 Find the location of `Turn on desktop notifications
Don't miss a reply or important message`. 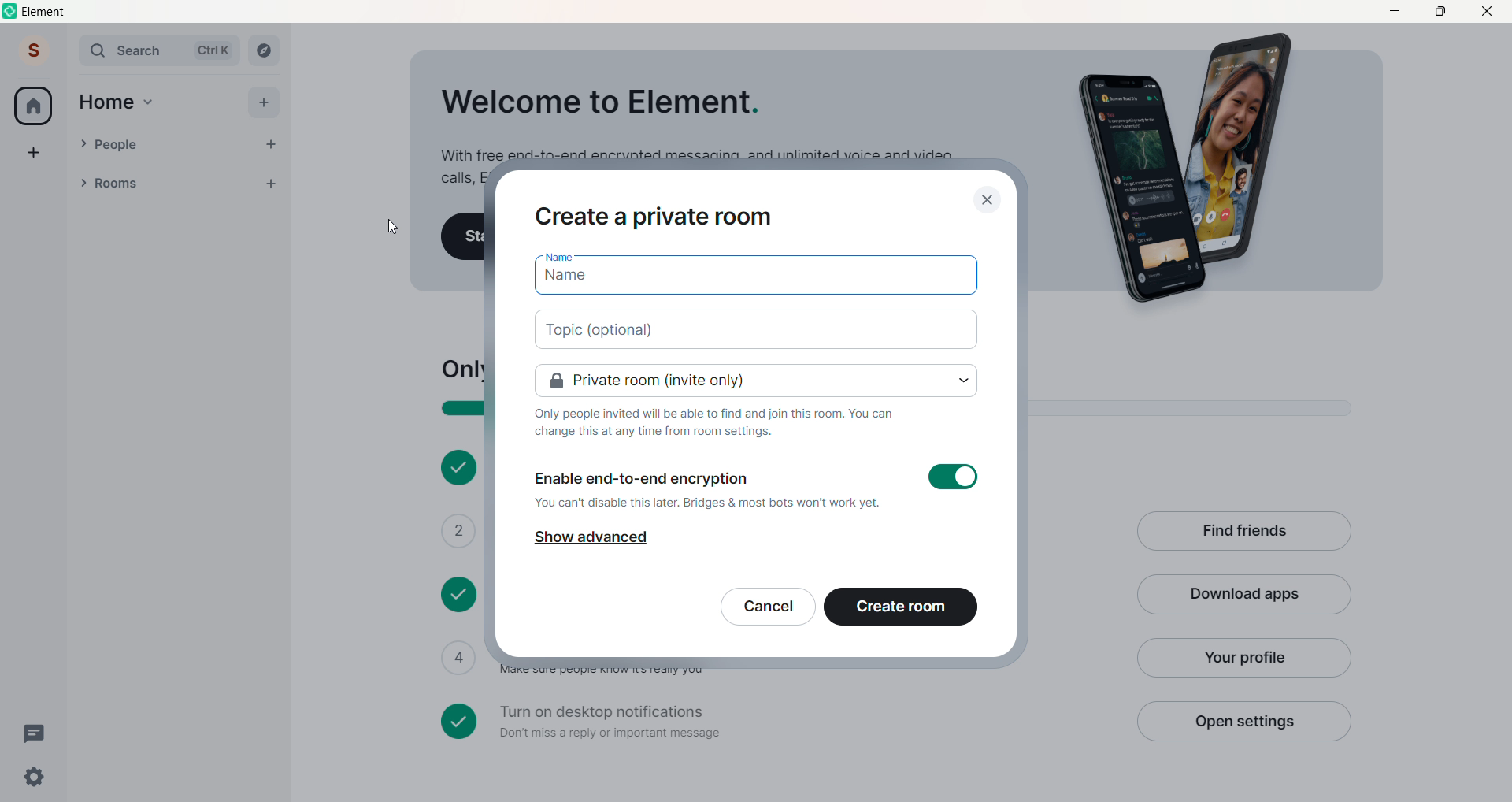

Turn on desktop notifications
Don't miss a reply or important message is located at coordinates (779, 721).